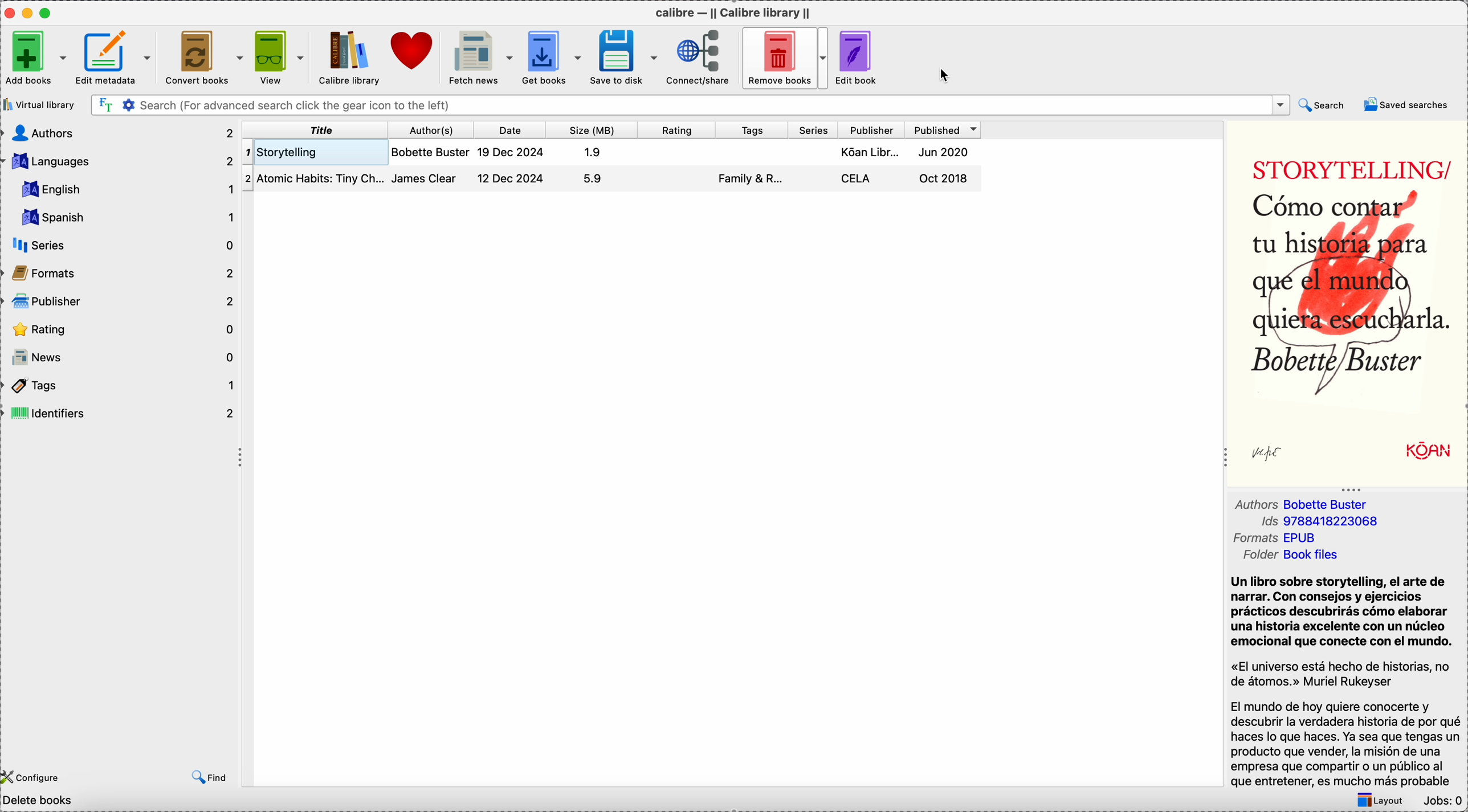 This screenshot has height=812, width=1468. I want to click on publisher, so click(122, 300).